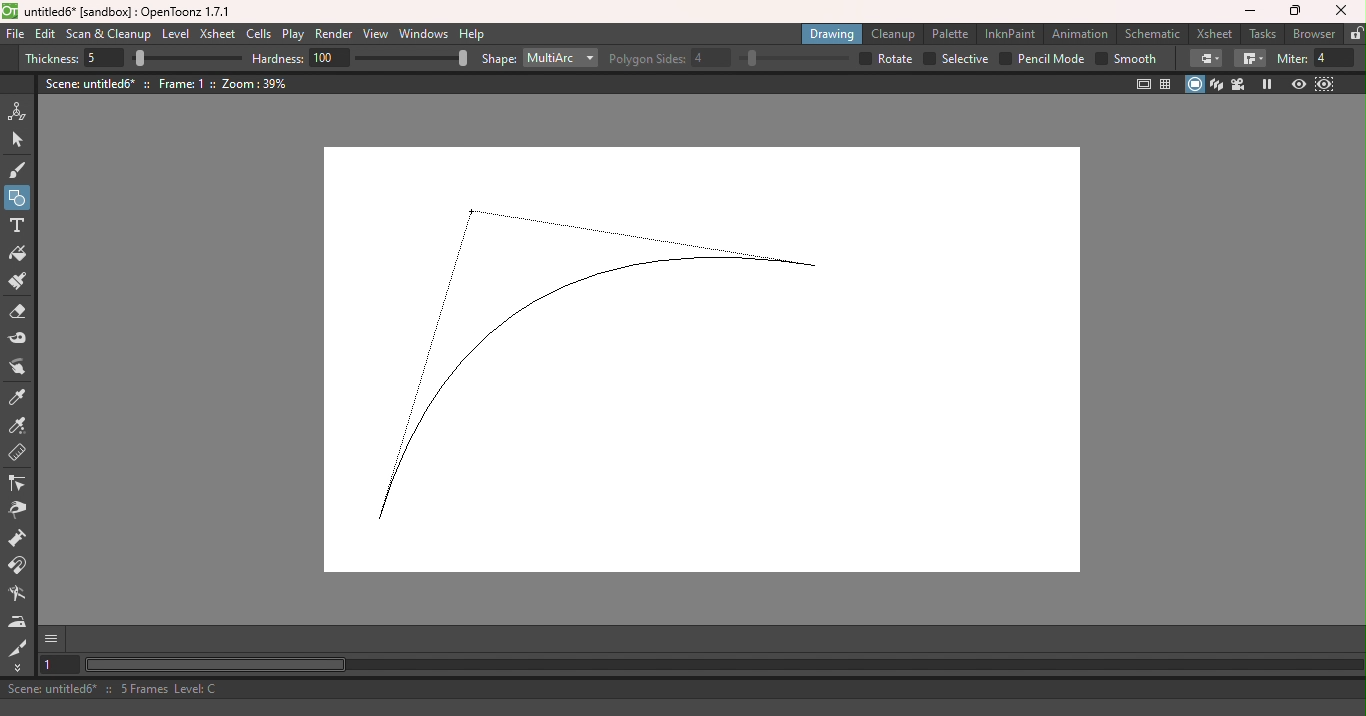 The width and height of the screenshot is (1366, 716). What do you see at coordinates (1205, 59) in the screenshot?
I see `Cap` at bounding box center [1205, 59].